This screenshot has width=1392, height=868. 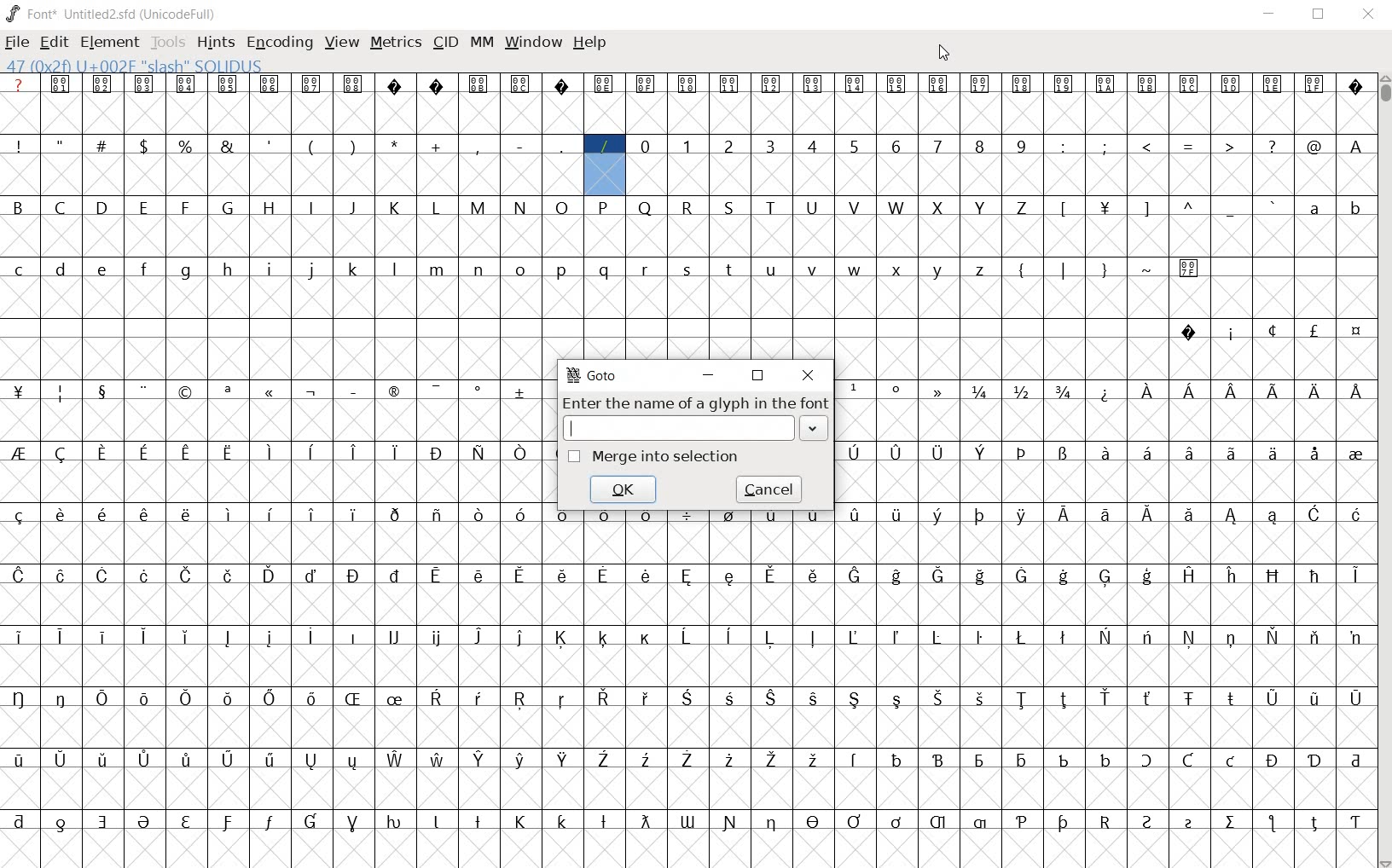 What do you see at coordinates (758, 374) in the screenshot?
I see `restore` at bounding box center [758, 374].